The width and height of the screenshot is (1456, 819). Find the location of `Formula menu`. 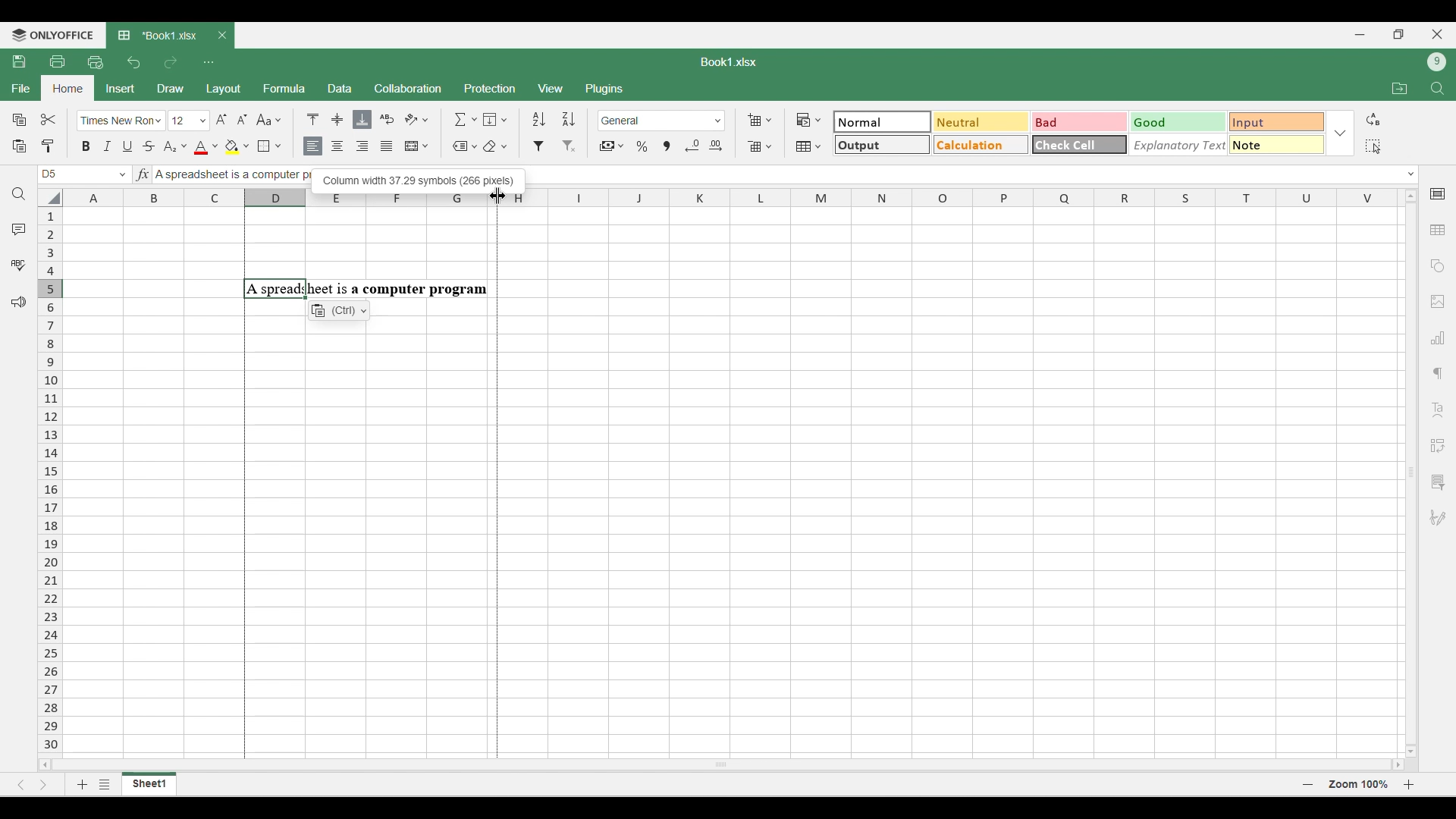

Formula menu is located at coordinates (284, 88).